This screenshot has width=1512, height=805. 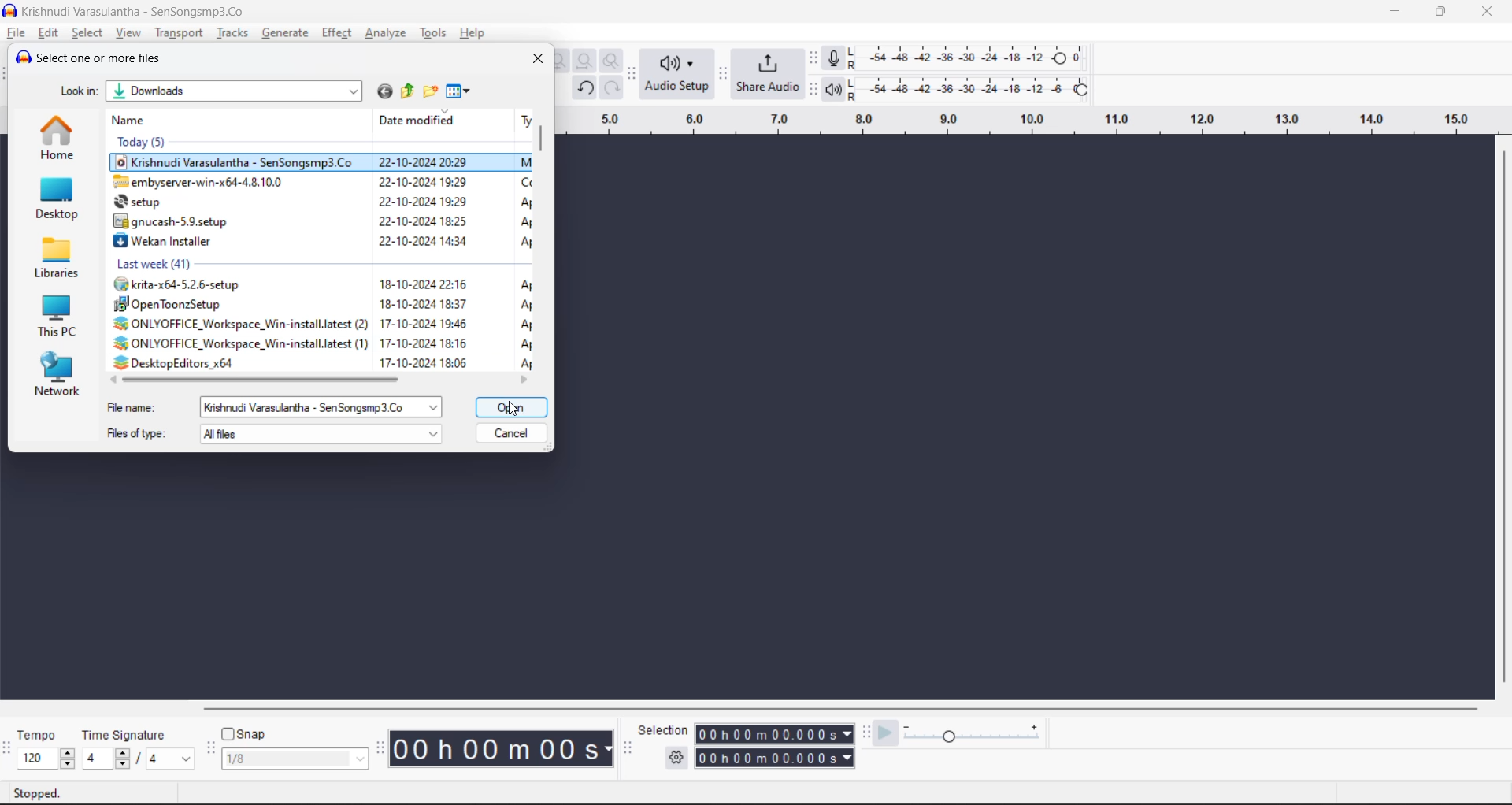 I want to click on (#® krita-x64-5.2.6-setup 18-10-2024 22:16 A, so click(x=321, y=283).